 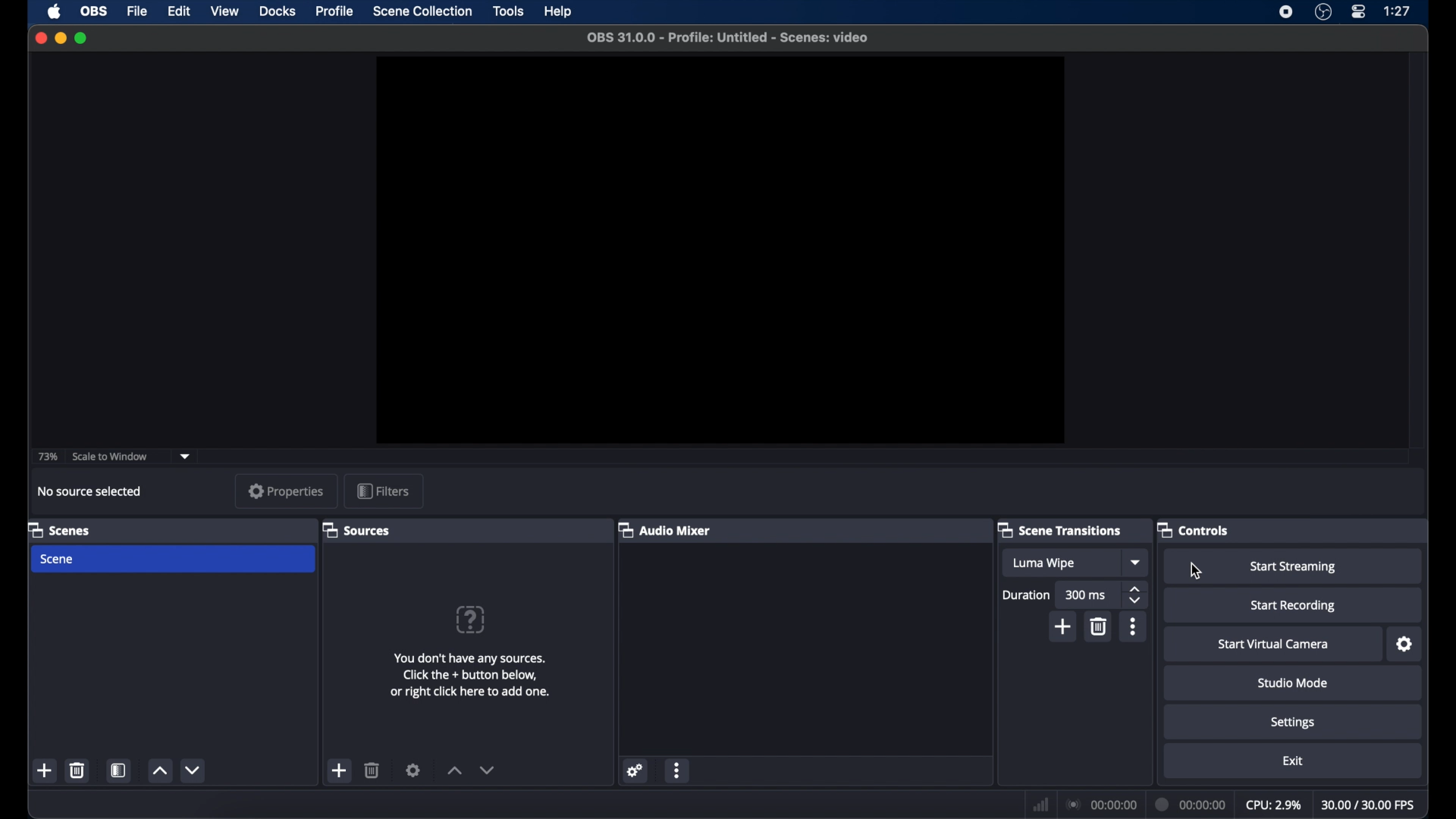 I want to click on decrement, so click(x=196, y=770).